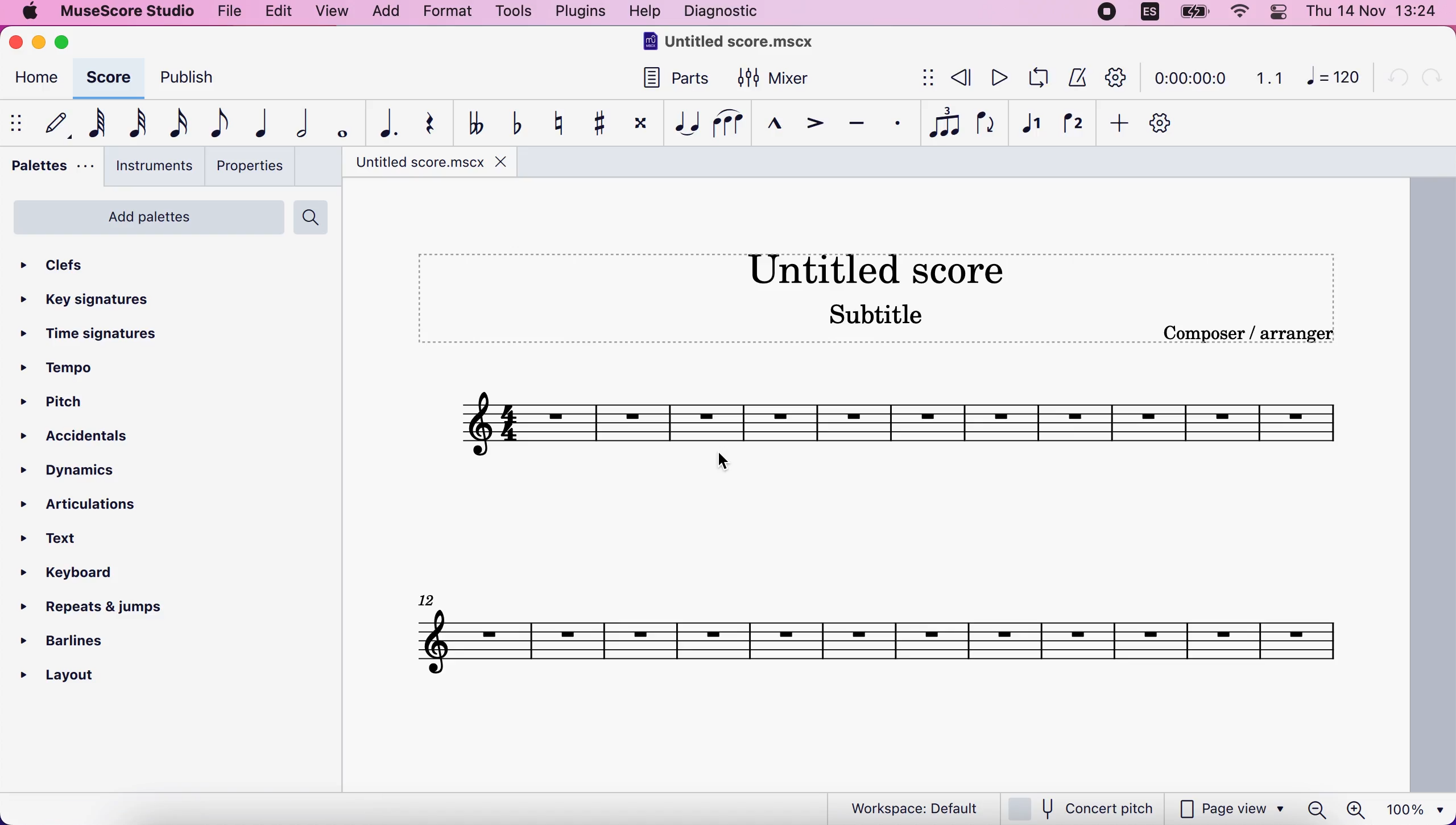 This screenshot has height=825, width=1456. I want to click on layout, so click(62, 679).